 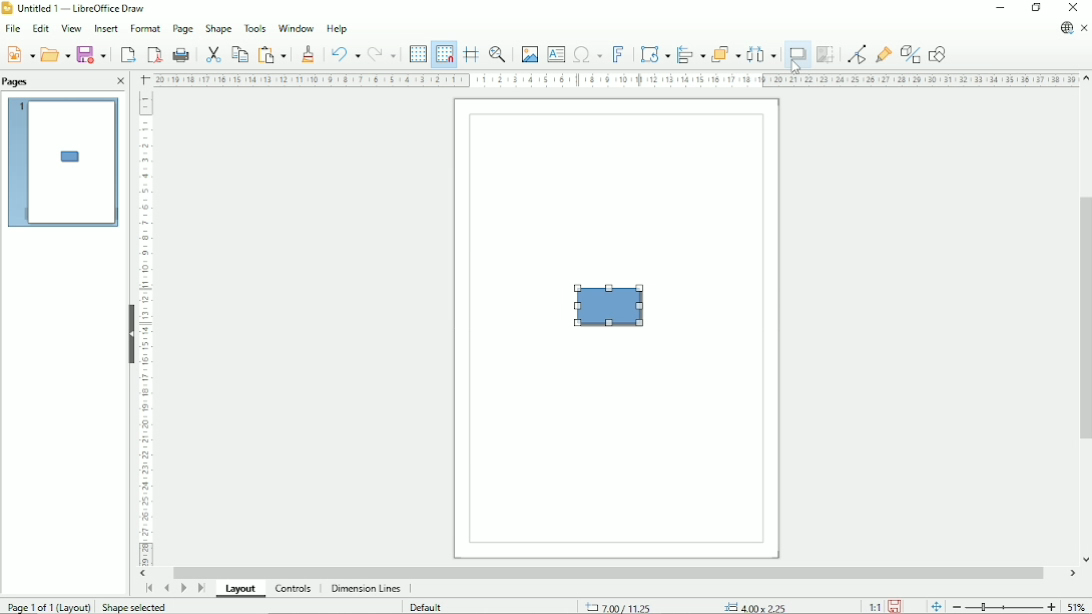 What do you see at coordinates (1084, 28) in the screenshot?
I see `Close document` at bounding box center [1084, 28].